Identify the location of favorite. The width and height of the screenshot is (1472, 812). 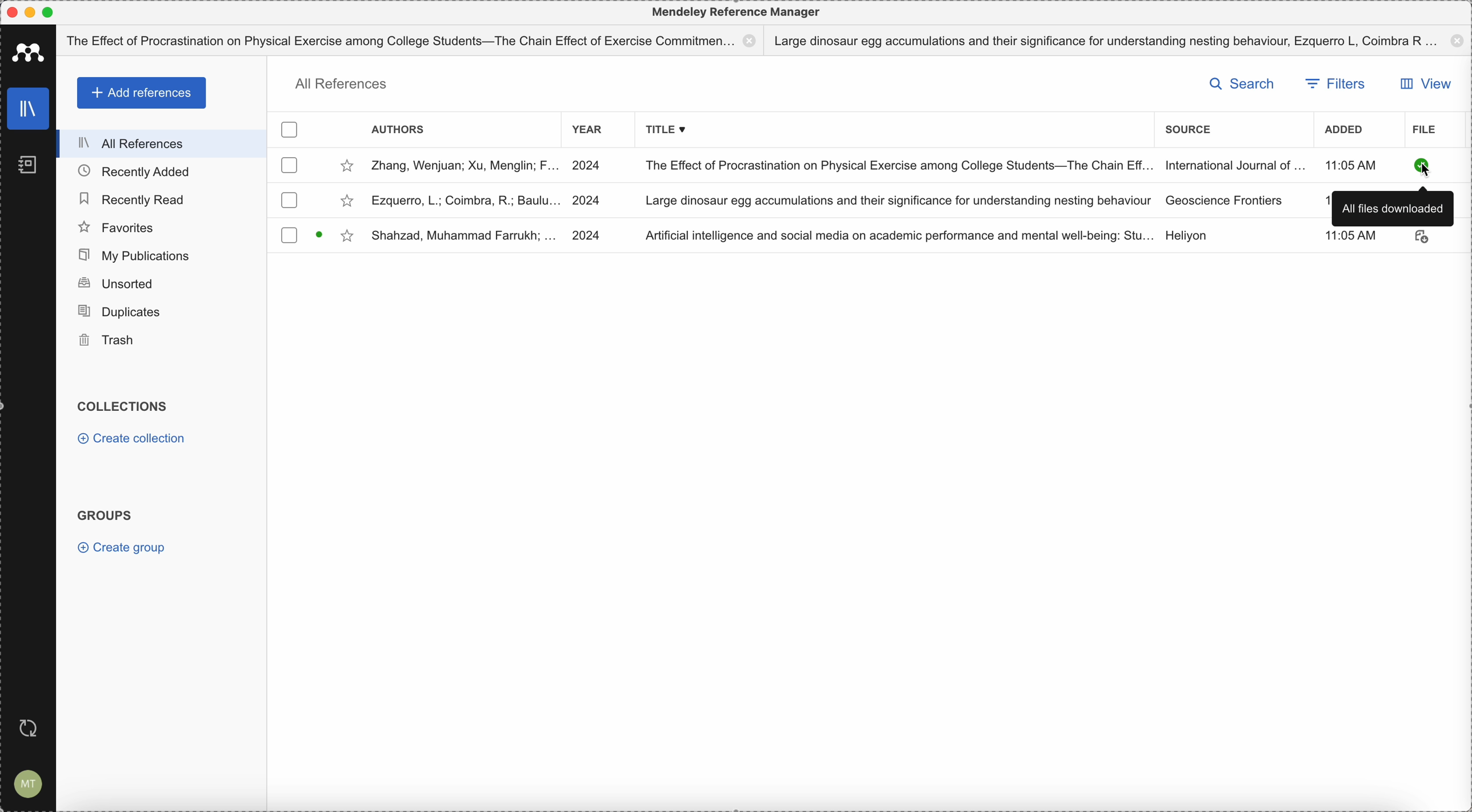
(345, 165).